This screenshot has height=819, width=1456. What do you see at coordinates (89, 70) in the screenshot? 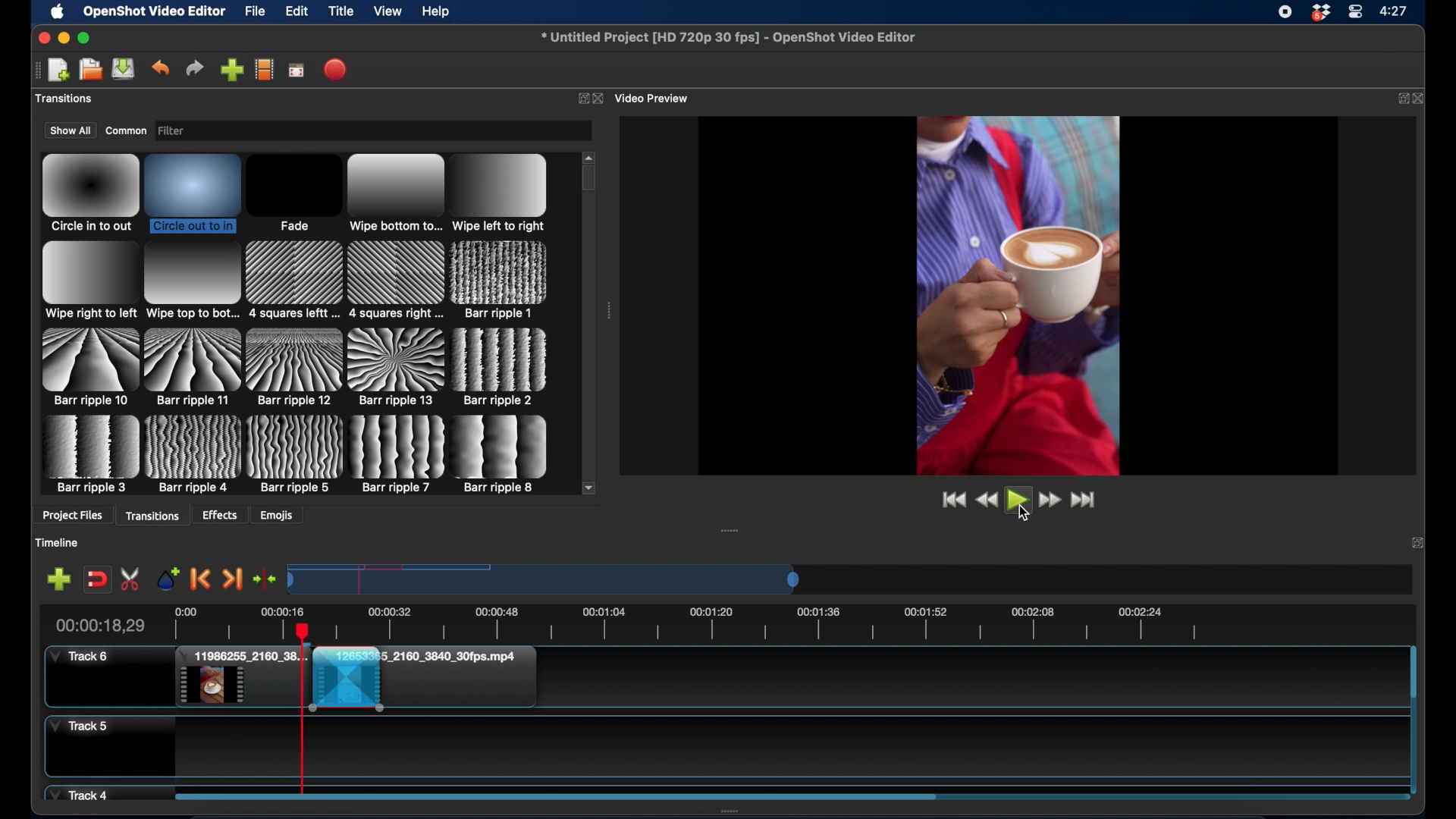
I see `open project` at bounding box center [89, 70].